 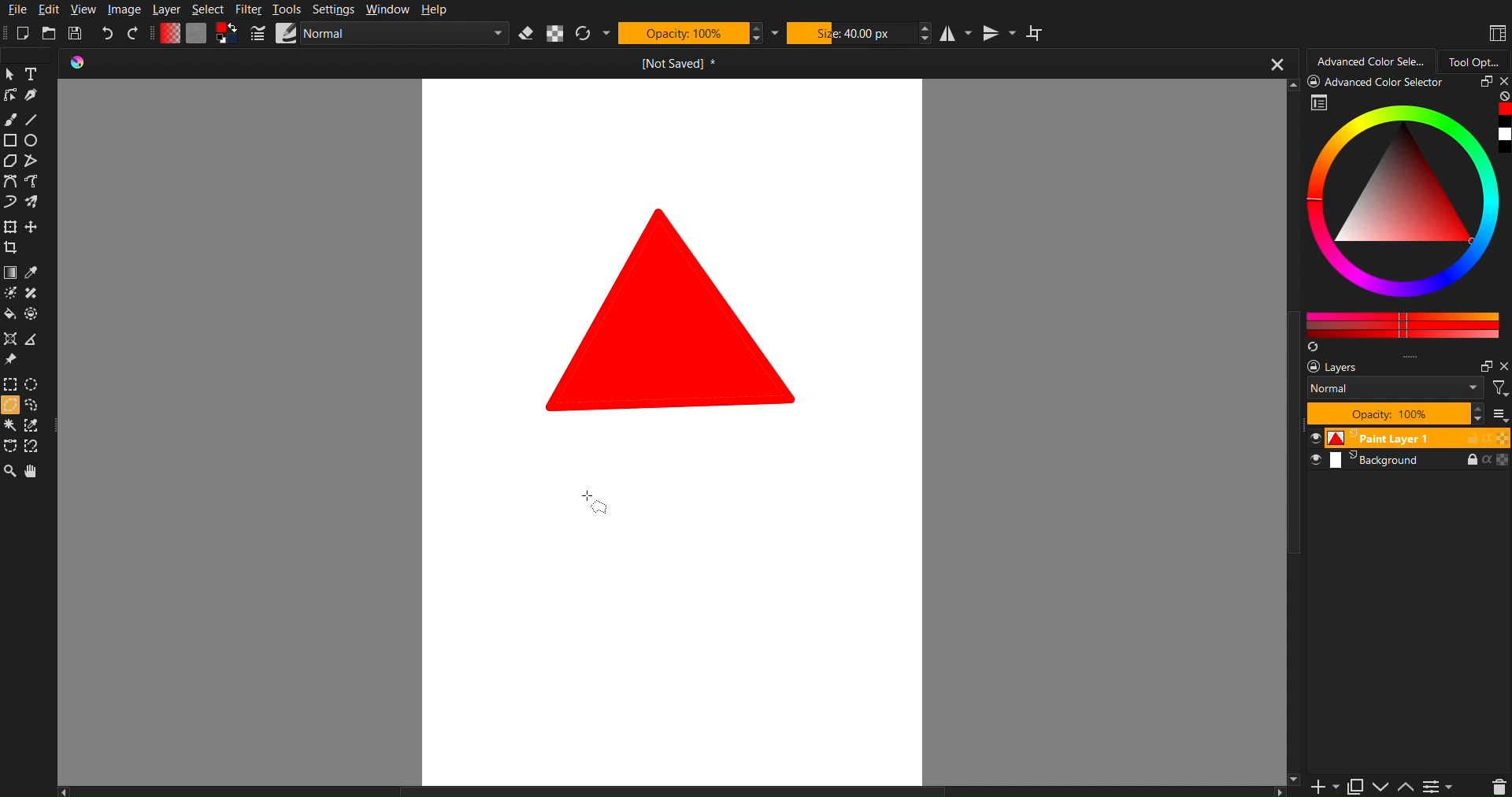 I want to click on Picker, so click(x=9, y=183).